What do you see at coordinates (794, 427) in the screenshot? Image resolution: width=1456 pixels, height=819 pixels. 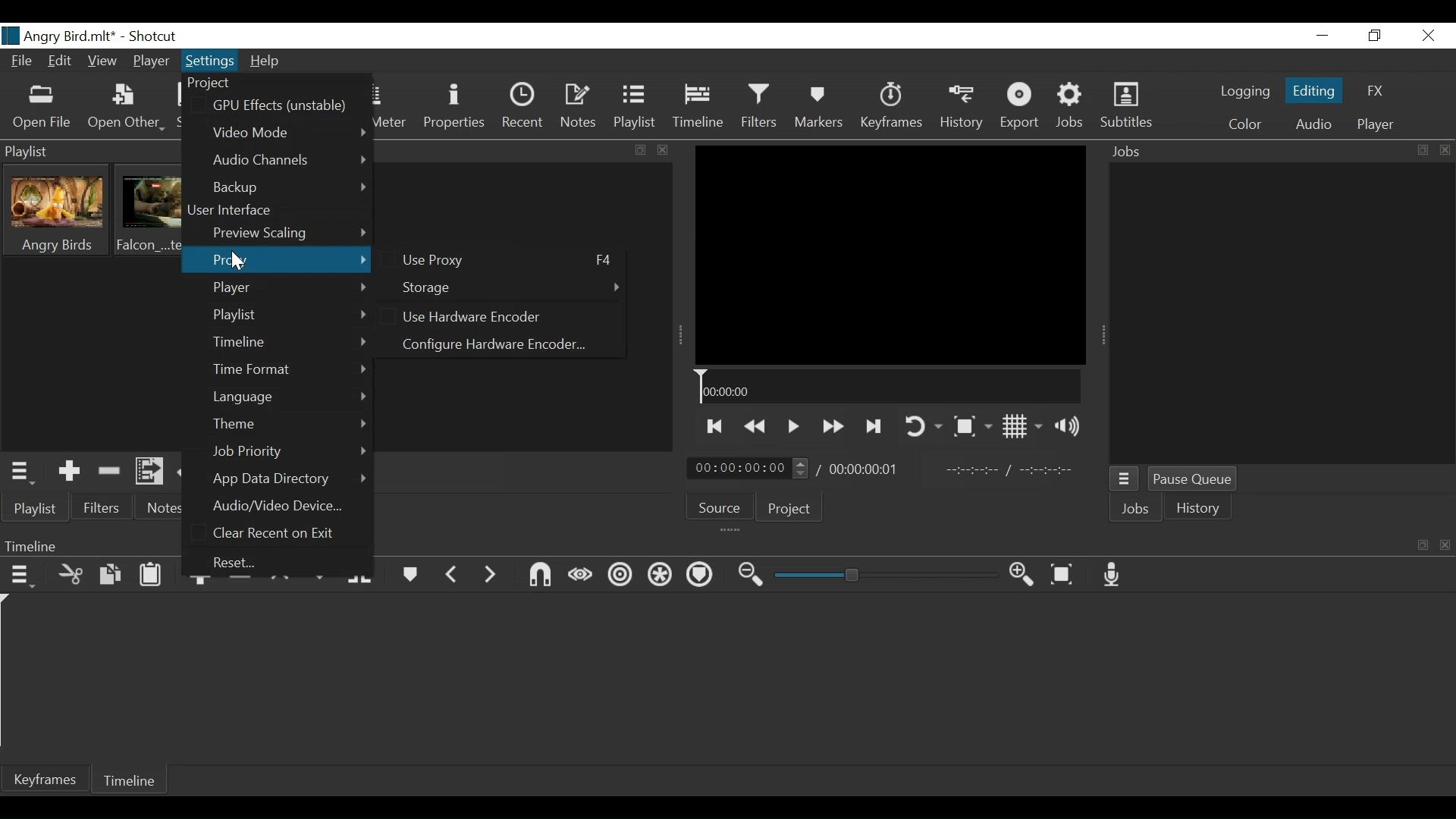 I see `Toggle play or pause (space)` at bounding box center [794, 427].